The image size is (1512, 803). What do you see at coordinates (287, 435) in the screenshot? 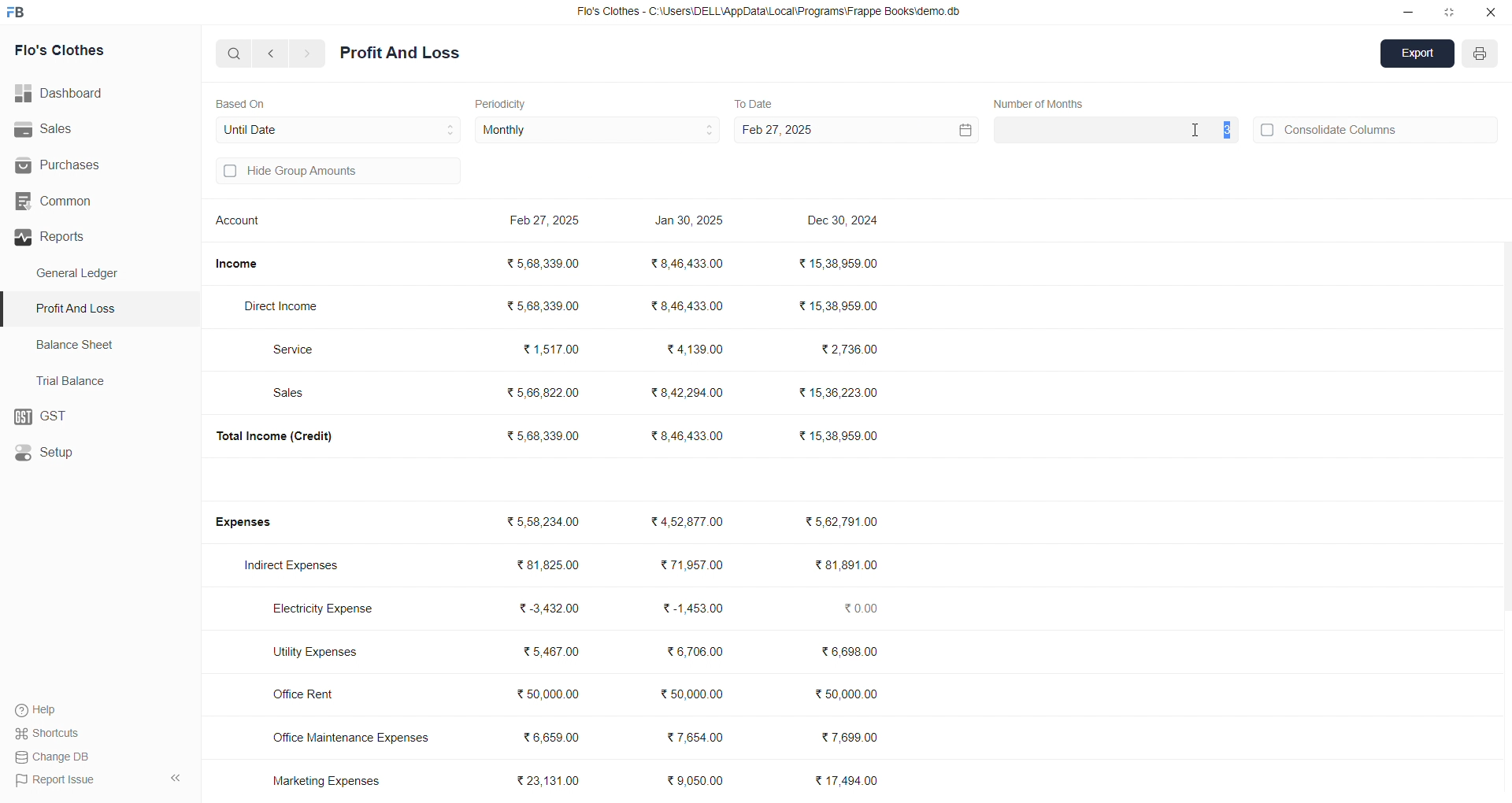
I see `Total Income (Credit)` at bounding box center [287, 435].